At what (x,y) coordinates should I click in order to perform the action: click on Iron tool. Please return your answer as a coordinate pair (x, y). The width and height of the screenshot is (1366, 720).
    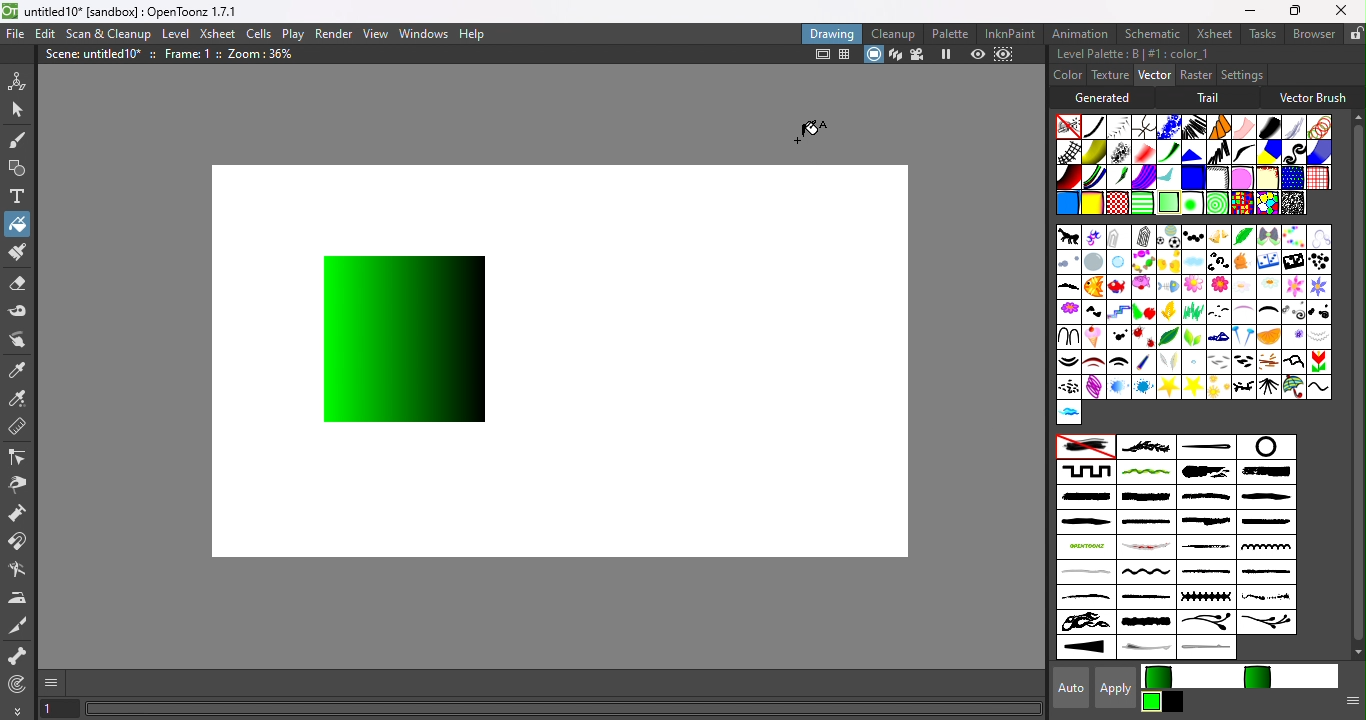
    Looking at the image, I should click on (19, 598).